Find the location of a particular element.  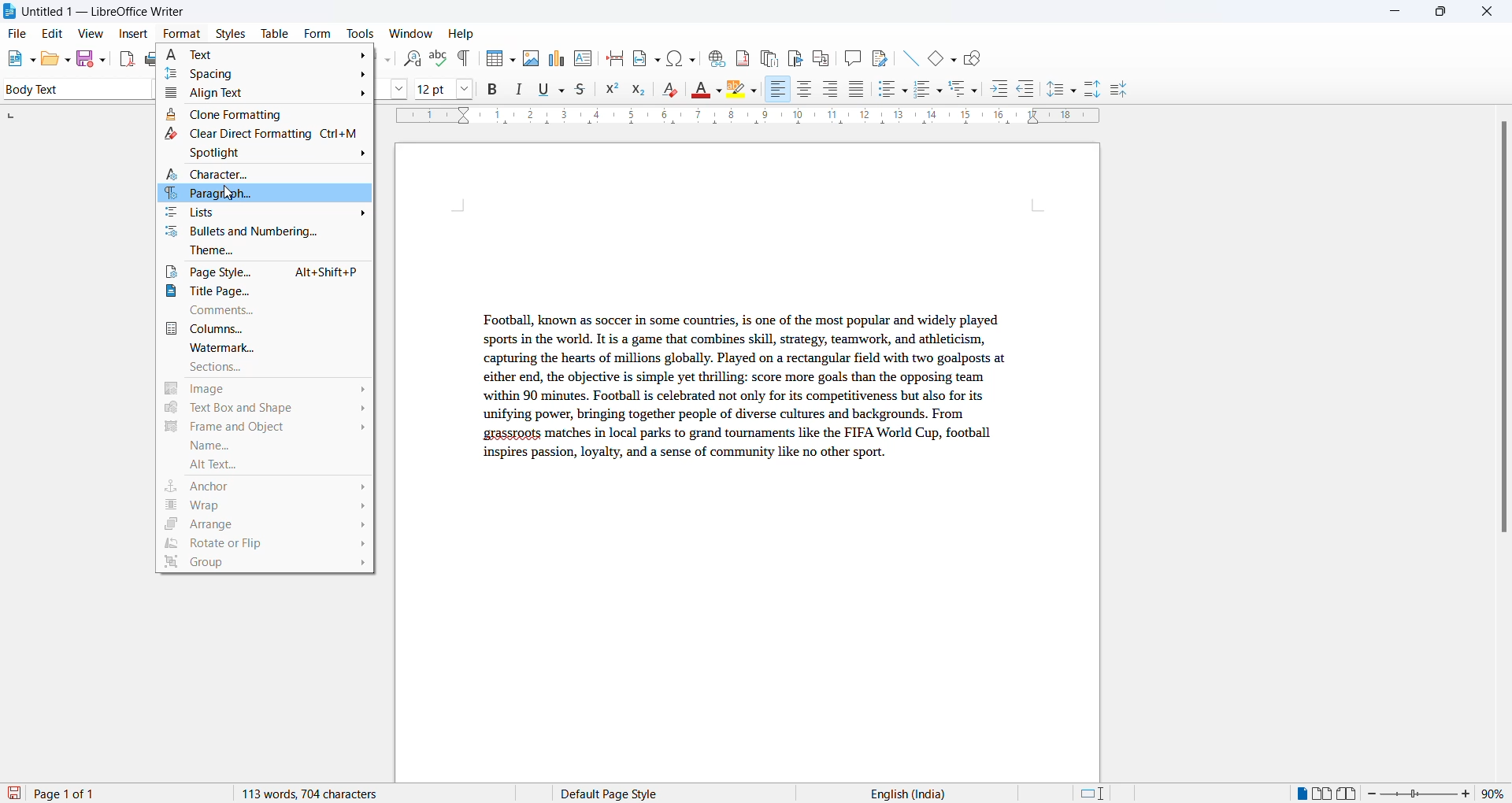

help is located at coordinates (461, 34).